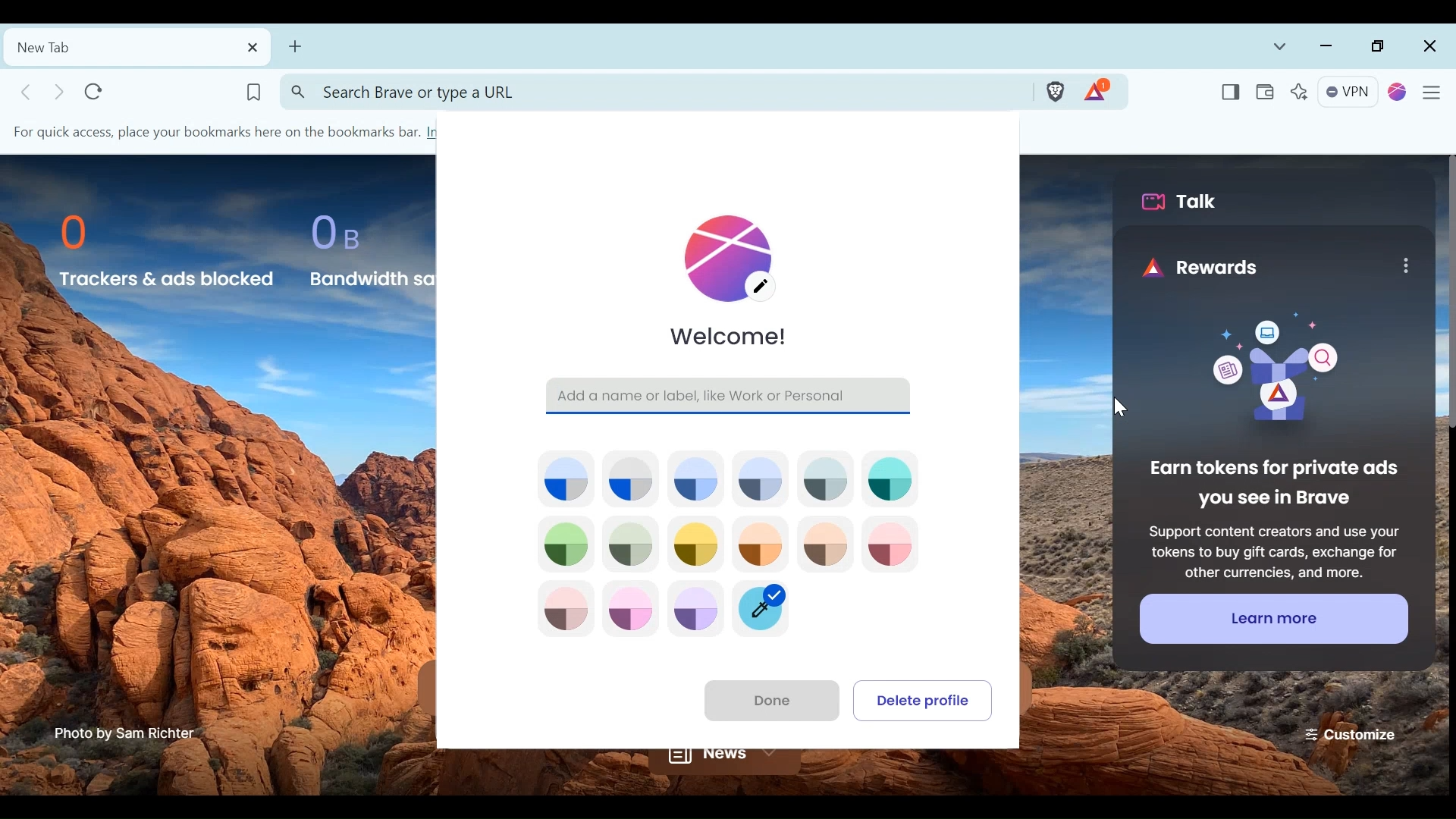 This screenshot has width=1456, height=819. Describe the element at coordinates (1404, 265) in the screenshot. I see `` at that location.